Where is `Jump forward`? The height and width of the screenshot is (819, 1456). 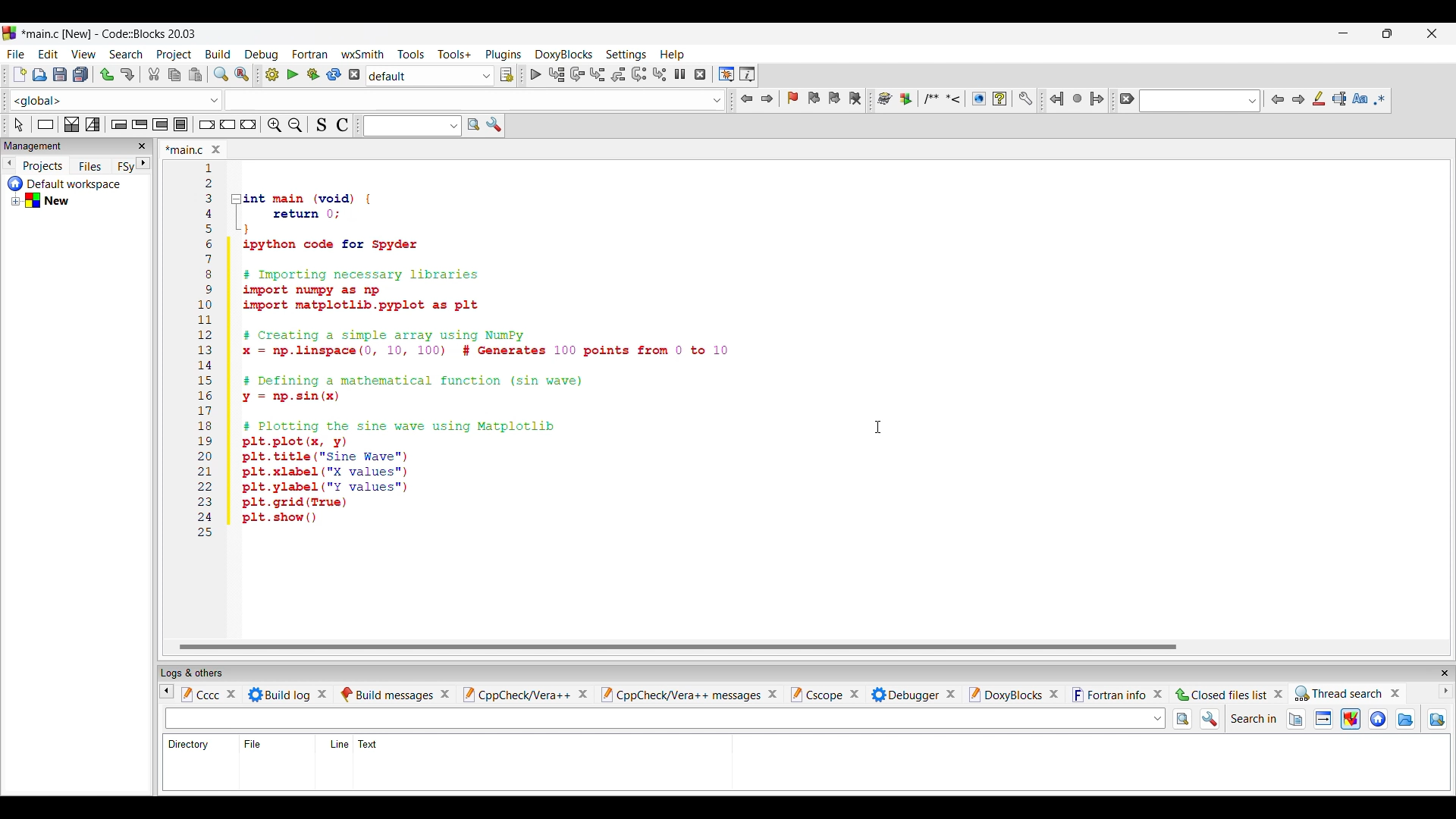
Jump forward is located at coordinates (1097, 96).